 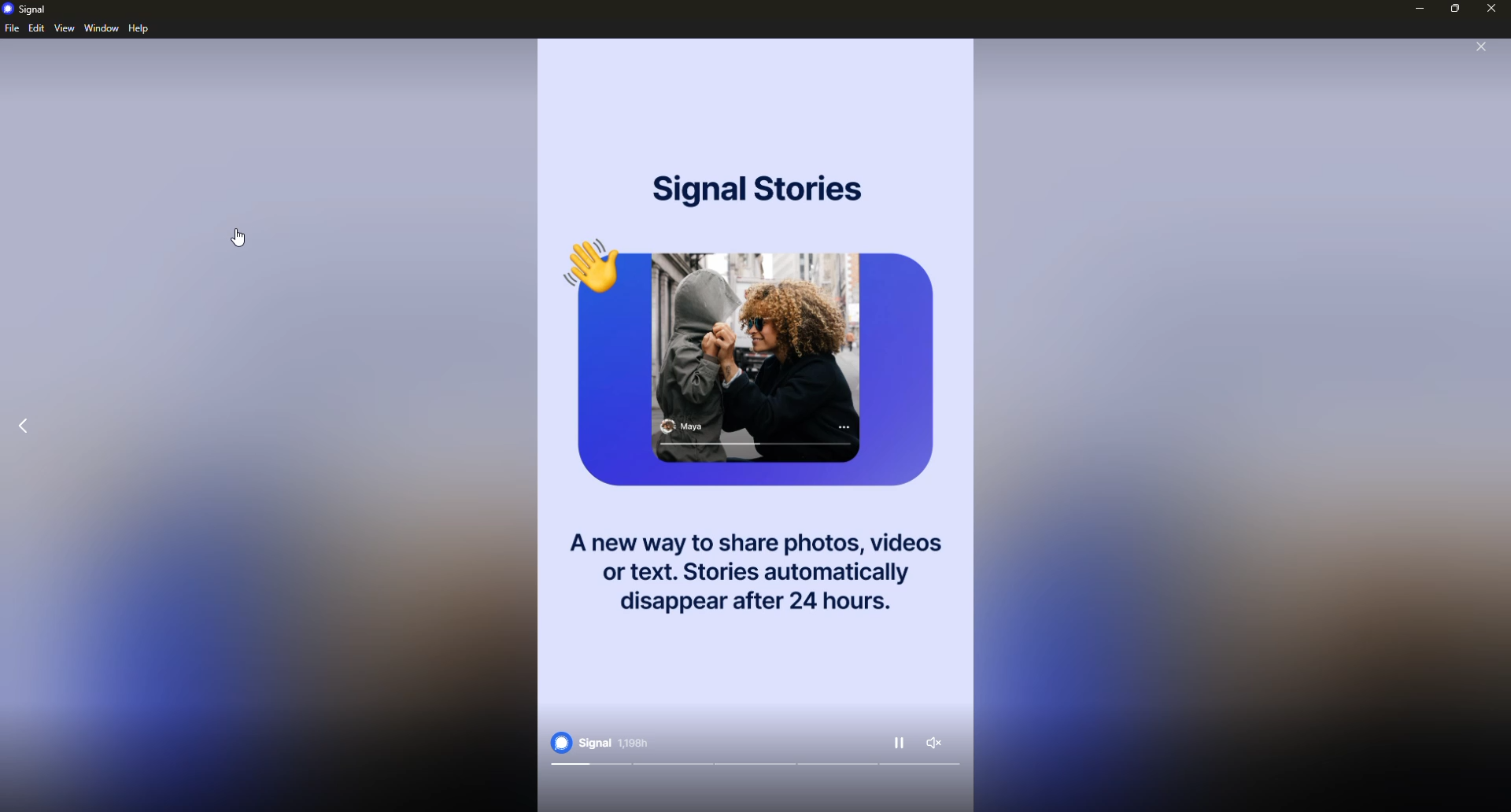 I want to click on close, so click(x=1481, y=47).